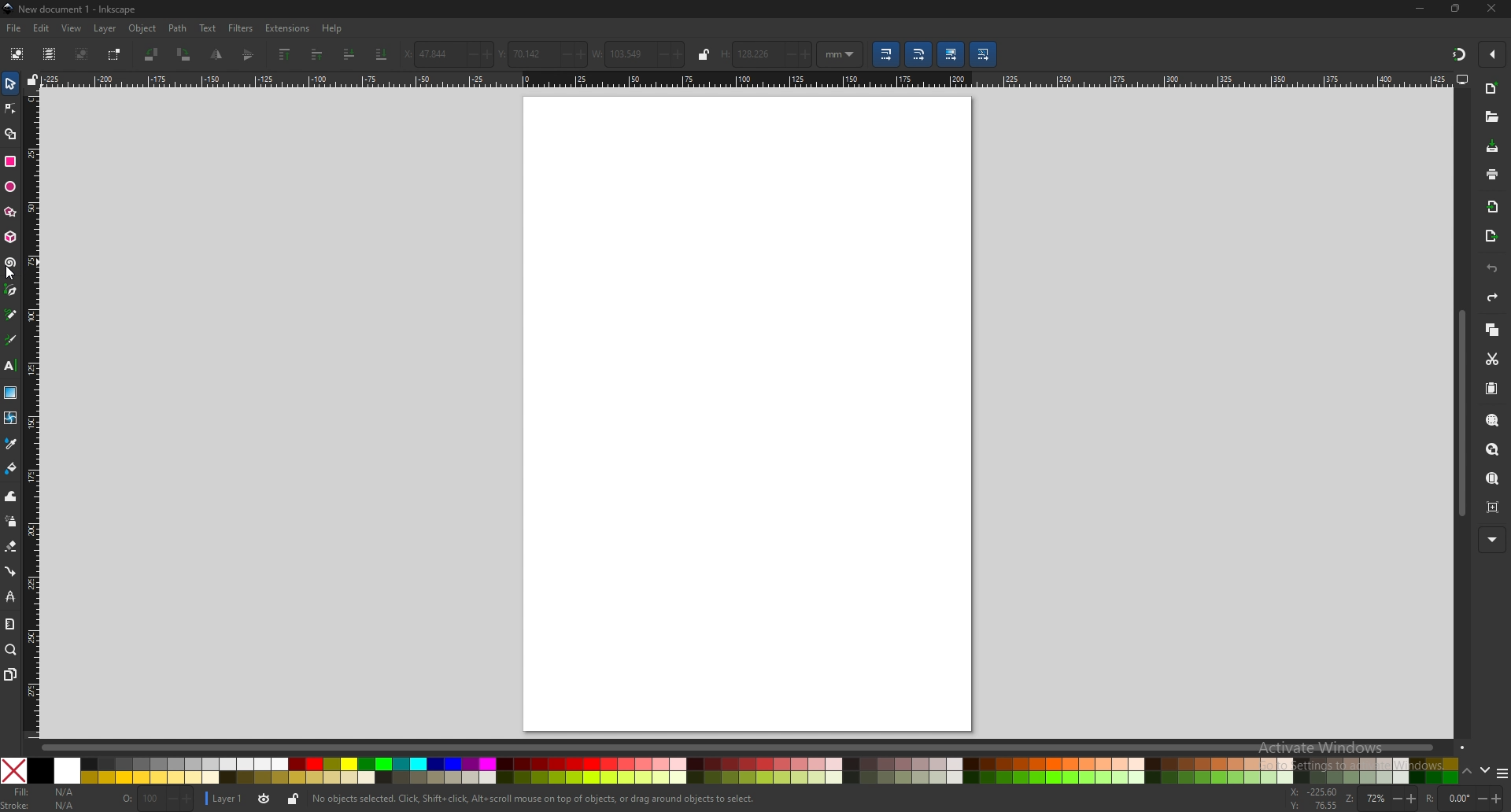 The image size is (1511, 812). Describe the element at coordinates (10, 572) in the screenshot. I see `connector` at that location.